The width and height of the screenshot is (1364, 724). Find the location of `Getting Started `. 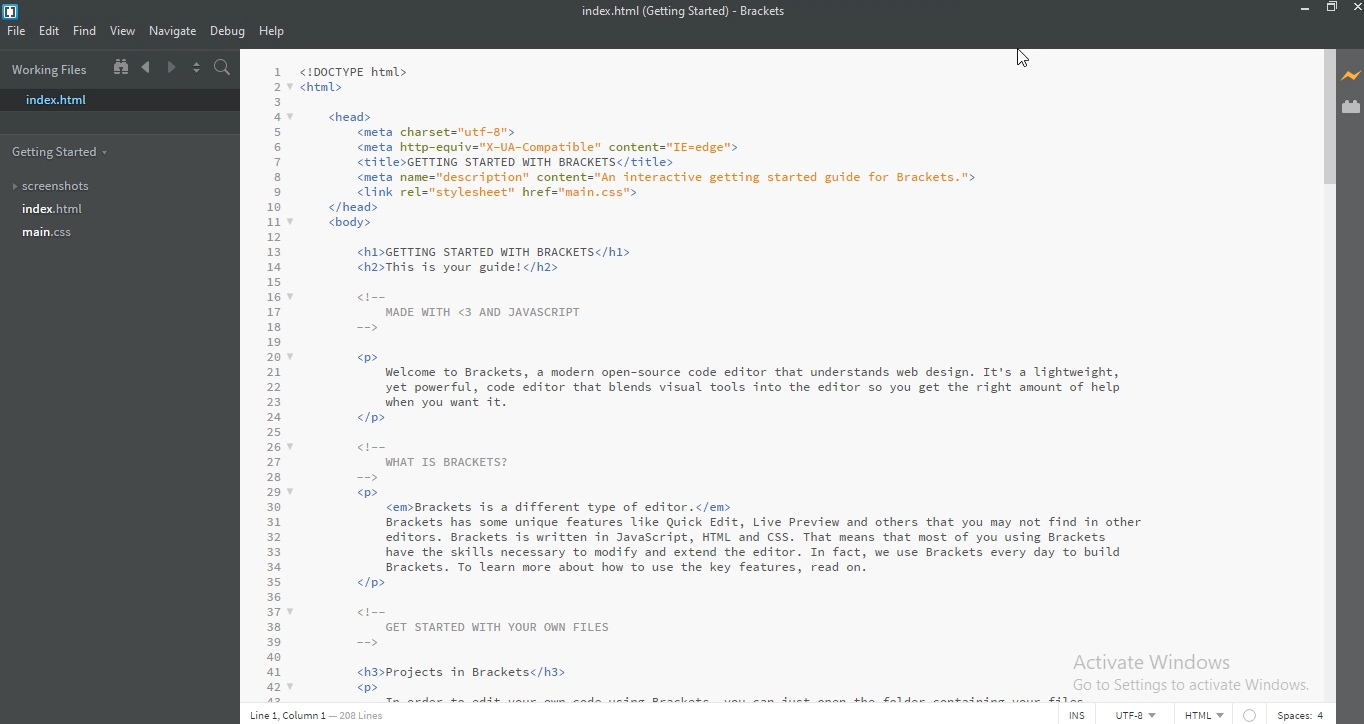

Getting Started  is located at coordinates (60, 153).